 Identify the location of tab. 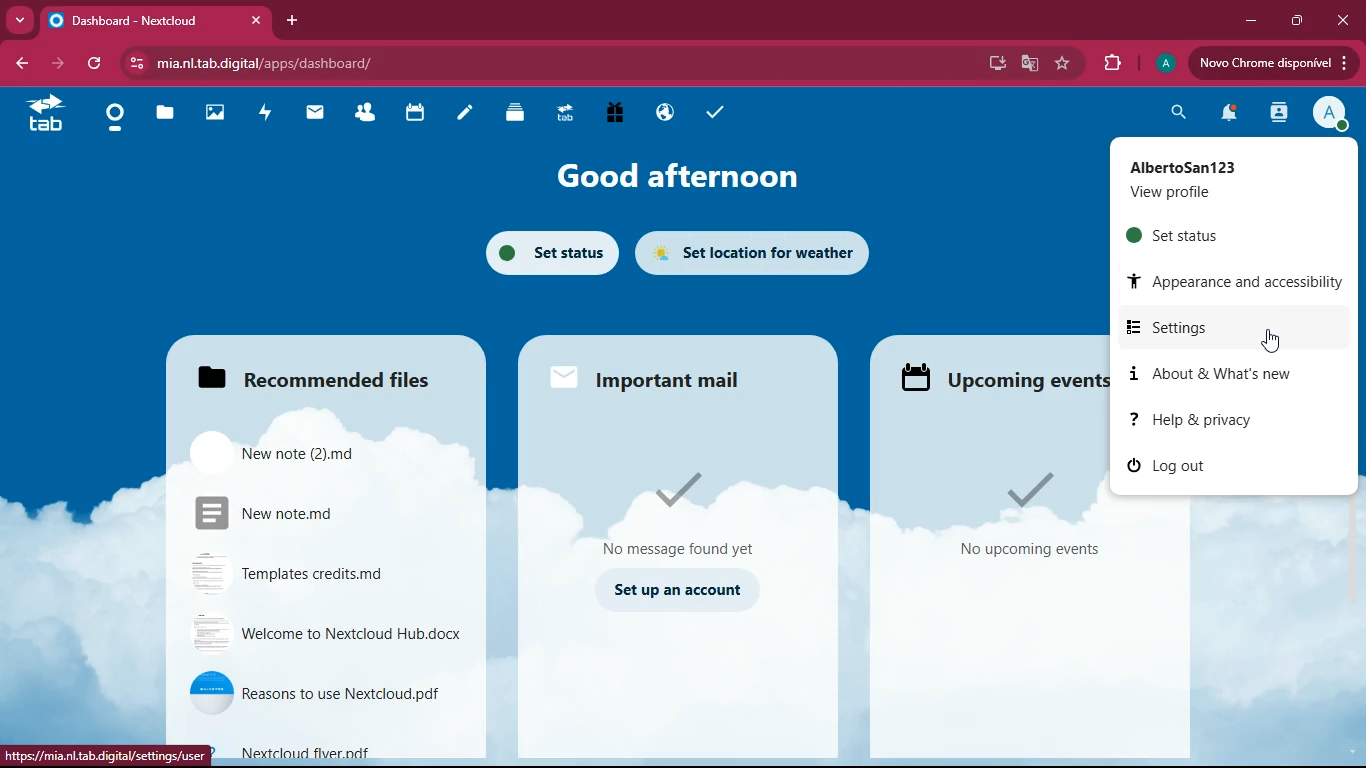
(569, 116).